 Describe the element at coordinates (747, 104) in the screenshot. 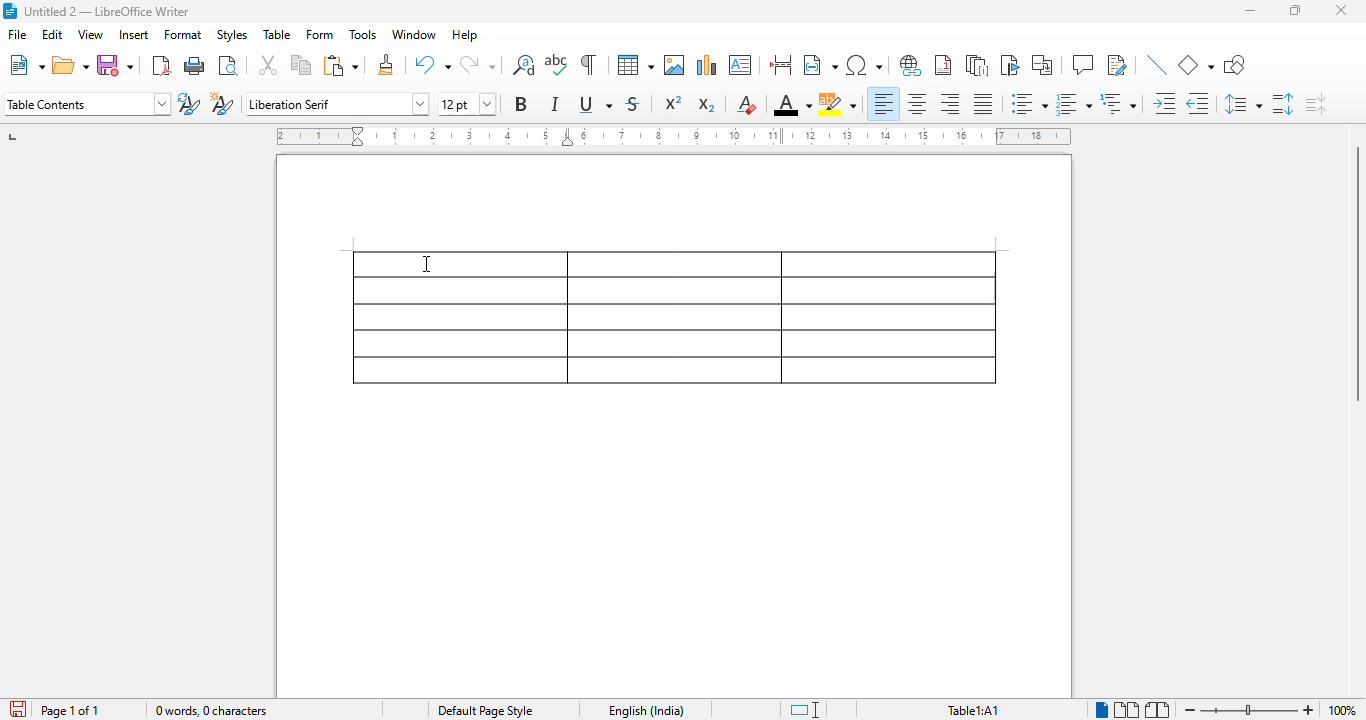

I see `clear direct formatting` at that location.